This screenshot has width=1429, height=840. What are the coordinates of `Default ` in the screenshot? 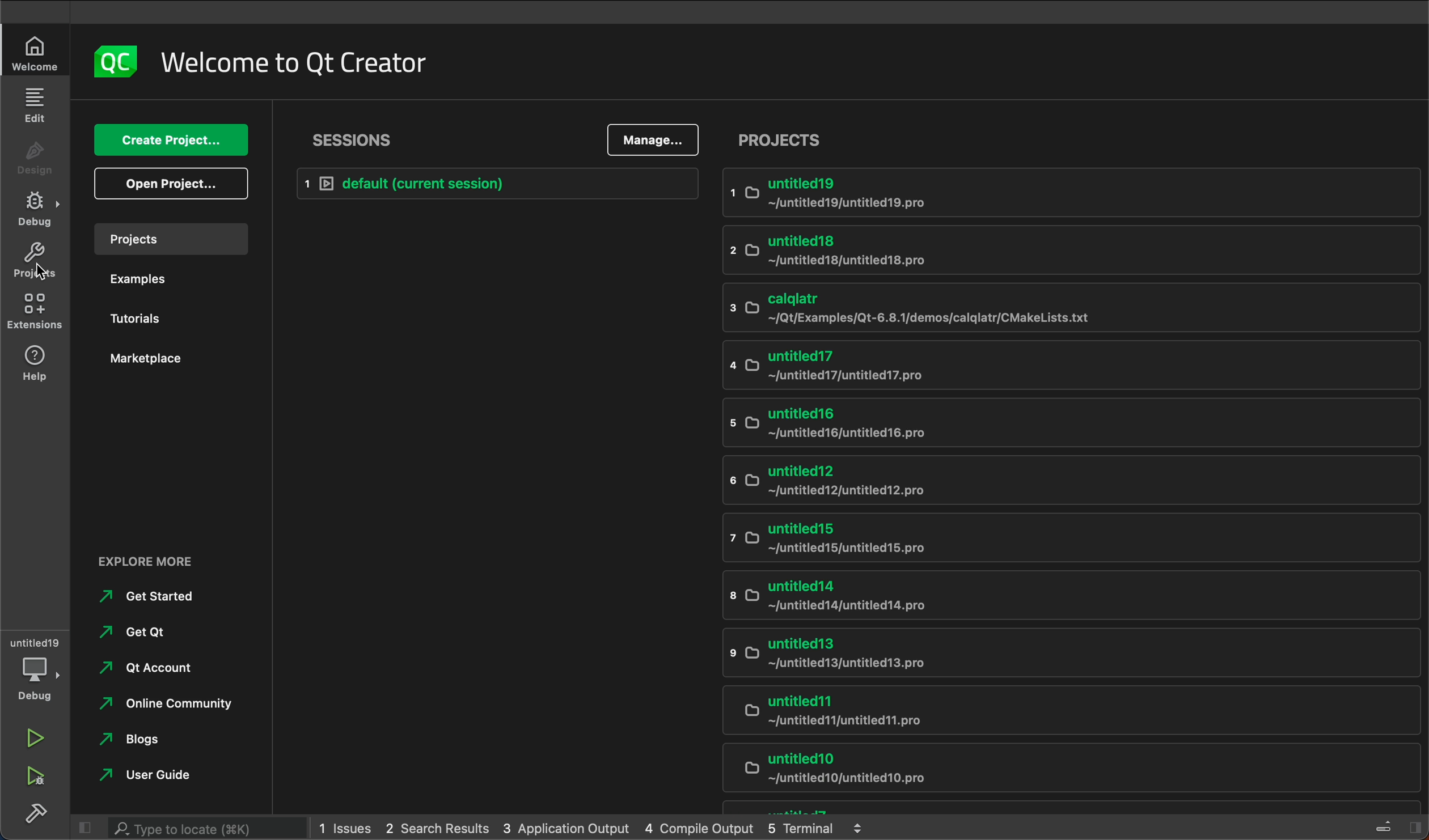 It's located at (496, 183).